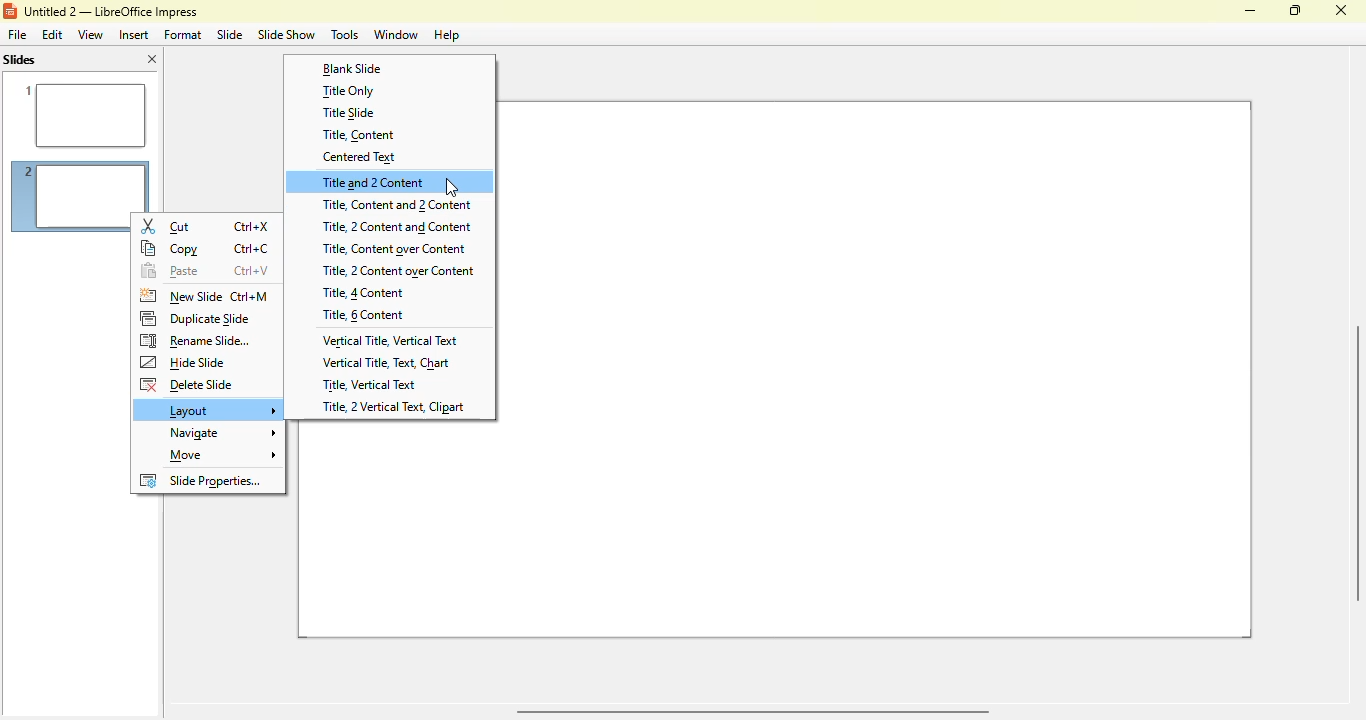 Image resolution: width=1366 pixels, height=720 pixels. I want to click on slide 2, so click(81, 186).